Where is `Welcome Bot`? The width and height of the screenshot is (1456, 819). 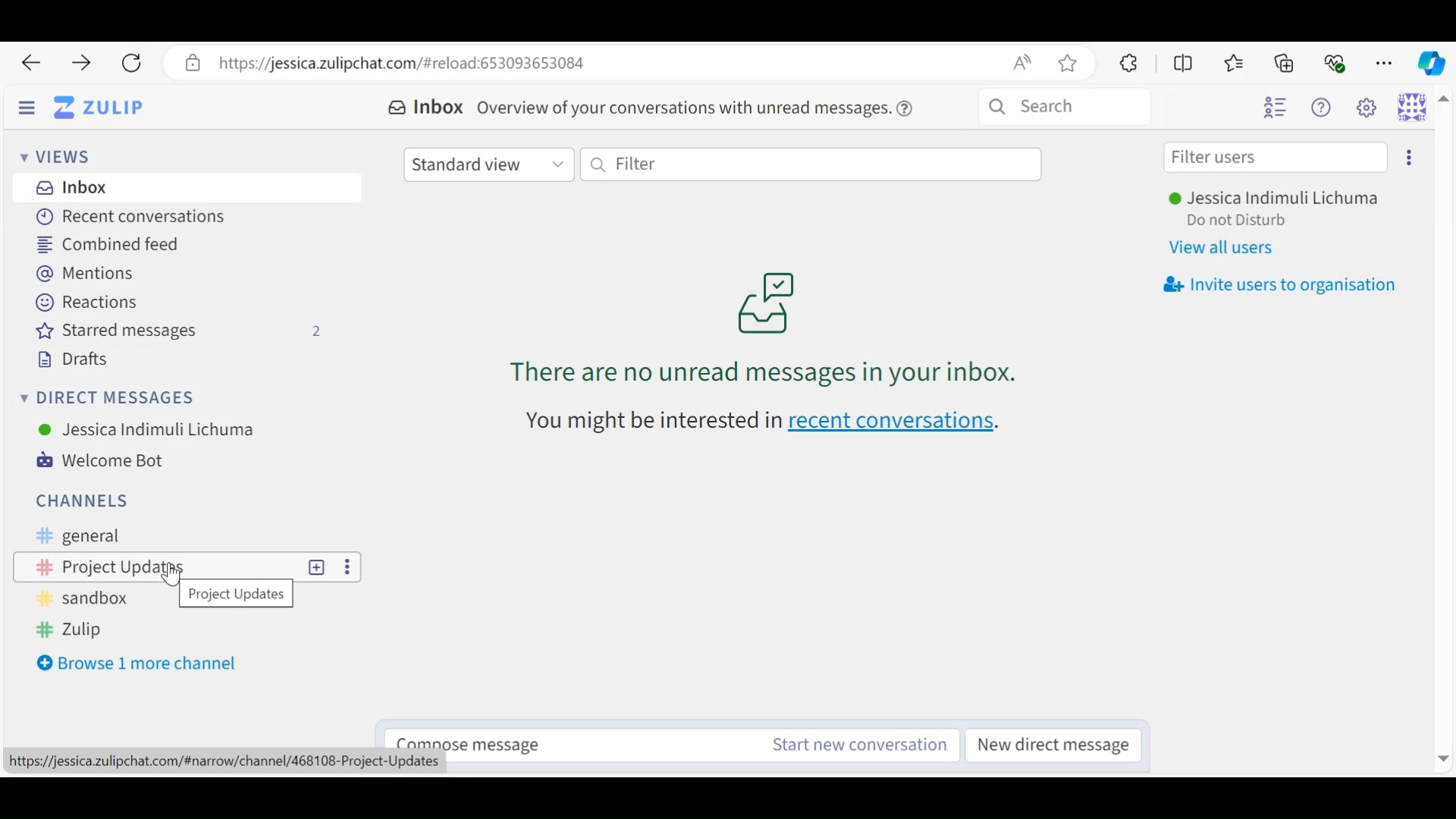
Welcome Bot is located at coordinates (110, 461).